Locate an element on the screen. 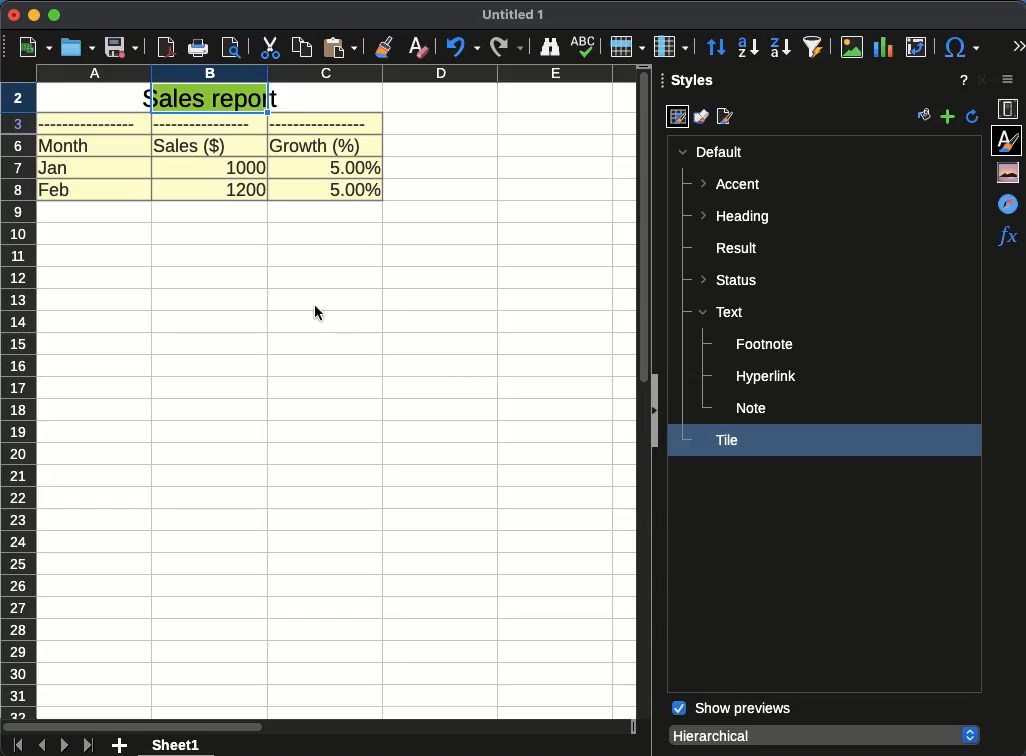 This screenshot has height=756, width=1026. status is located at coordinates (732, 278).